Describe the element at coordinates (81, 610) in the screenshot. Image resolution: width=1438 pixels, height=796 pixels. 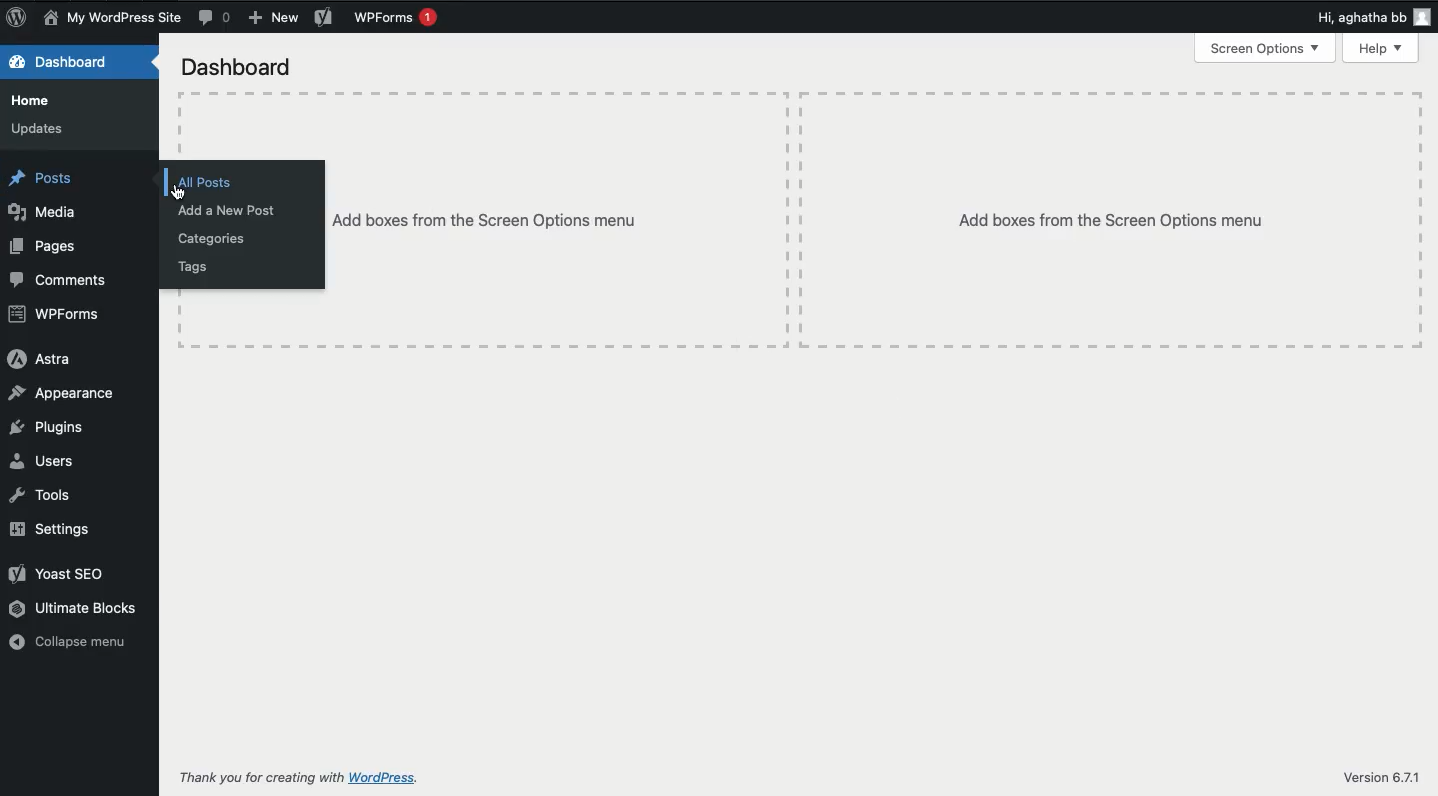
I see `Ultimate blocks ` at that location.